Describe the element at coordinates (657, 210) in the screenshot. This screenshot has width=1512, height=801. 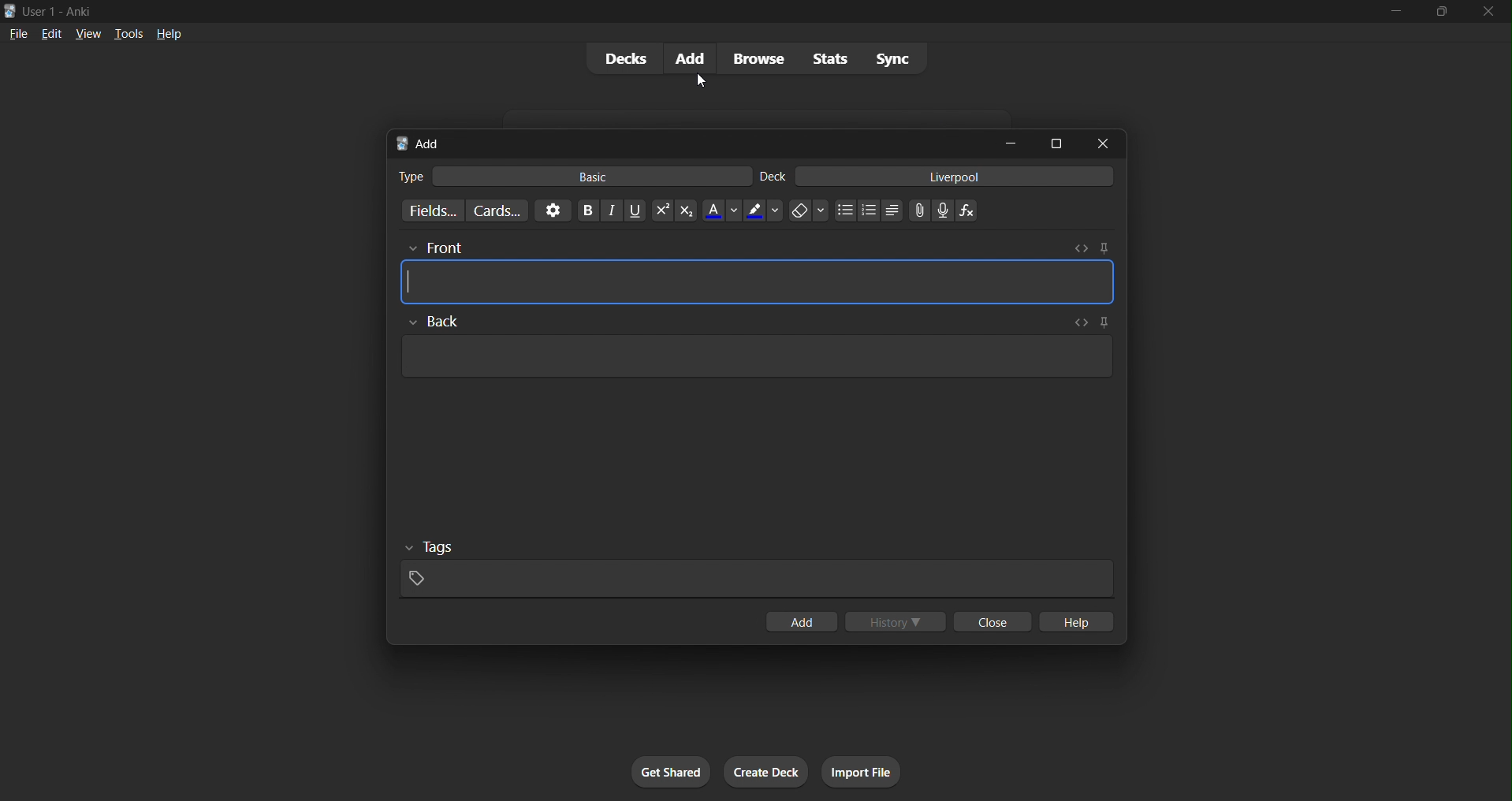
I see `super script` at that location.